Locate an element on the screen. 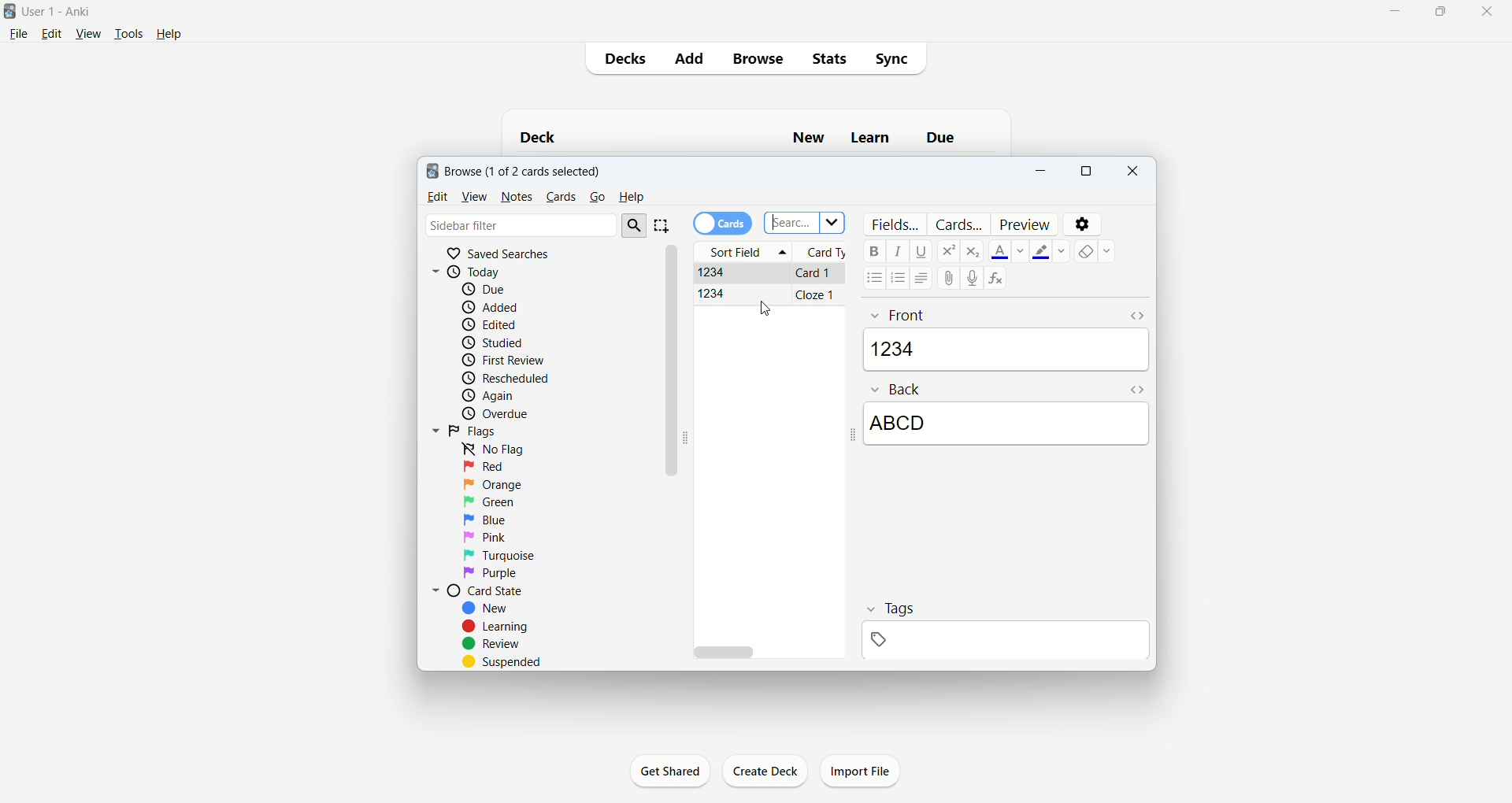 The width and height of the screenshot is (1512, 803). help is located at coordinates (169, 35).